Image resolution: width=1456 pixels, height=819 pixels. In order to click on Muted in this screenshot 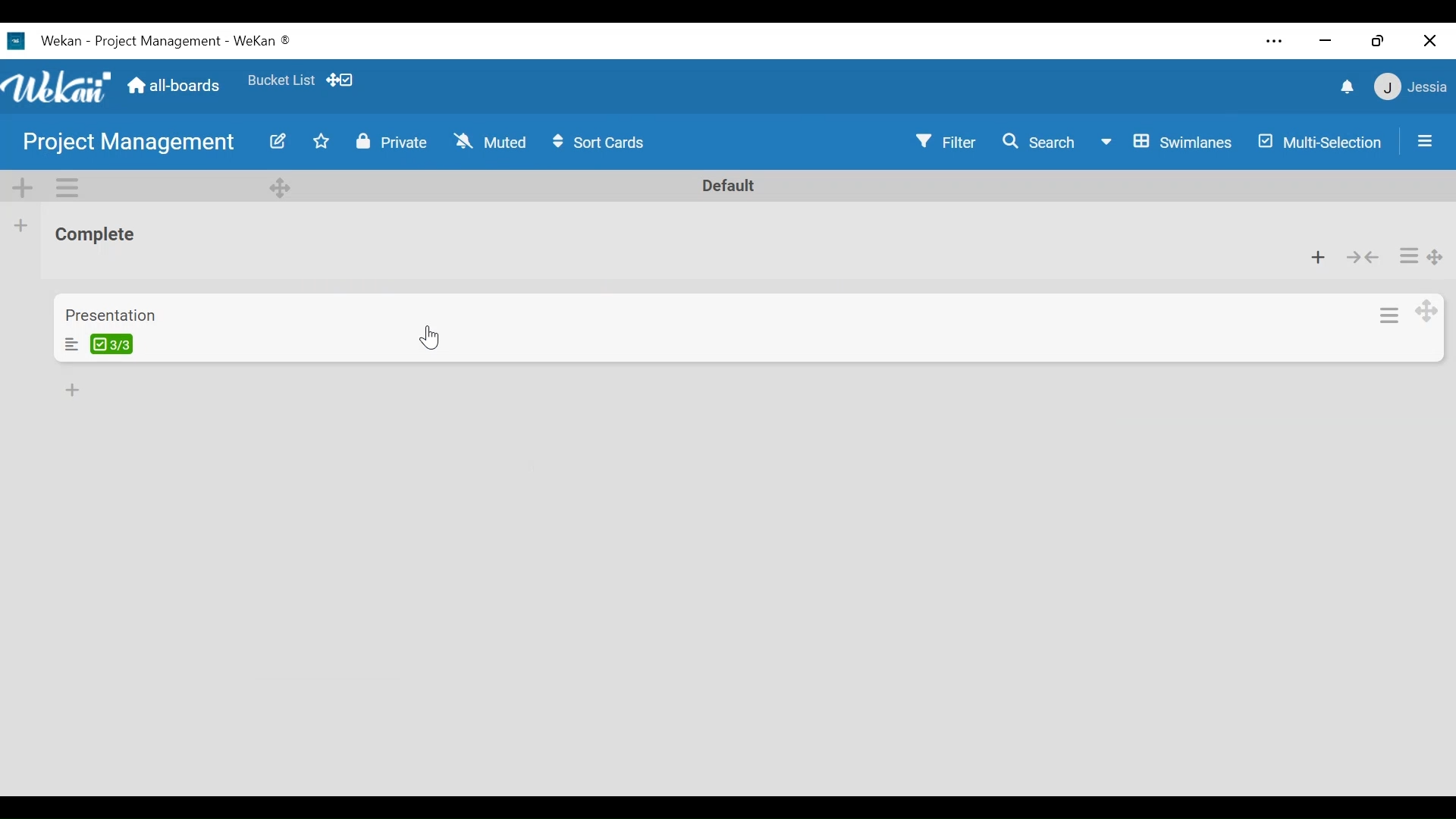, I will do `click(489, 143)`.